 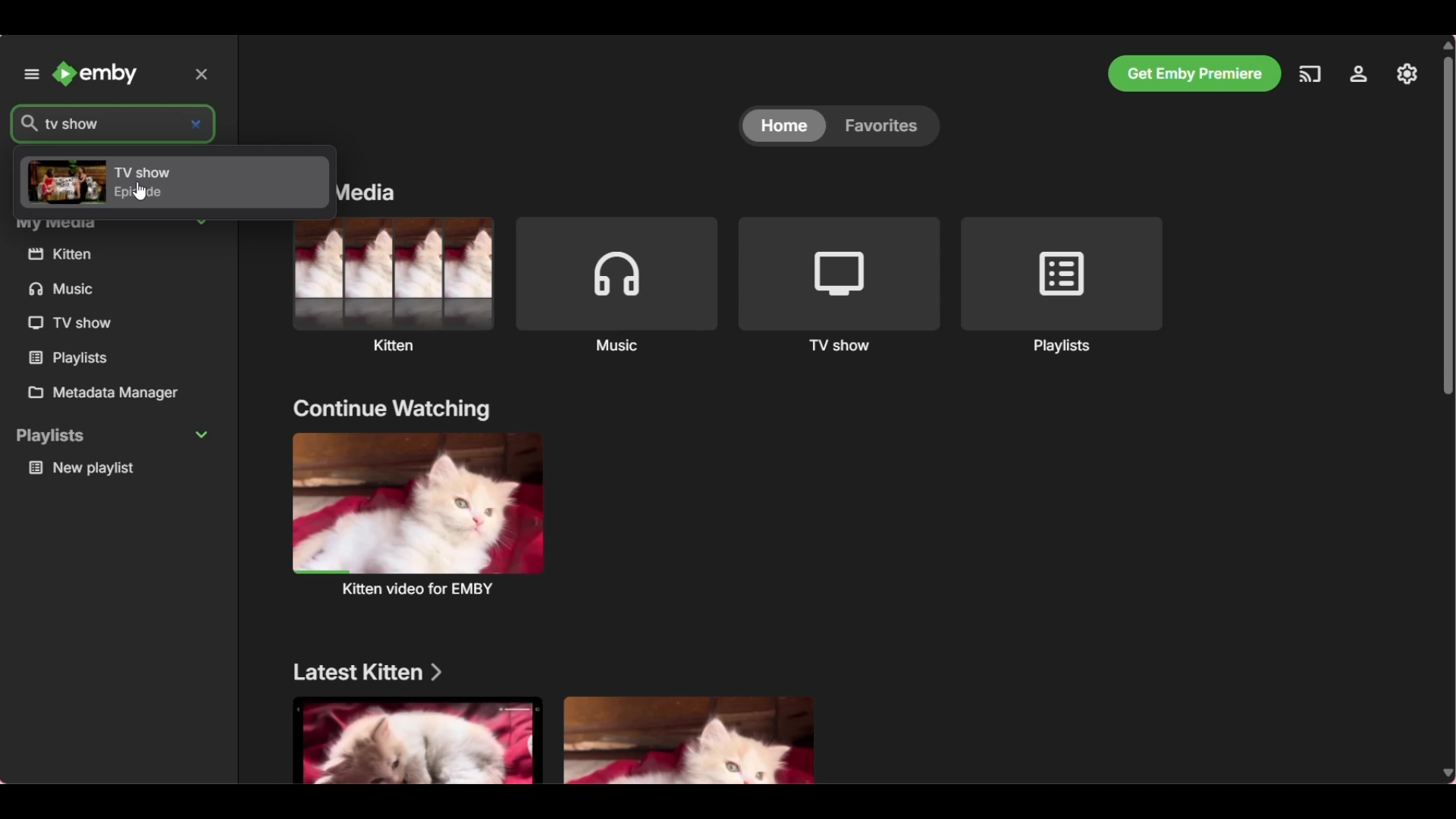 What do you see at coordinates (391, 408) in the screenshot?
I see `continue watching` at bounding box center [391, 408].